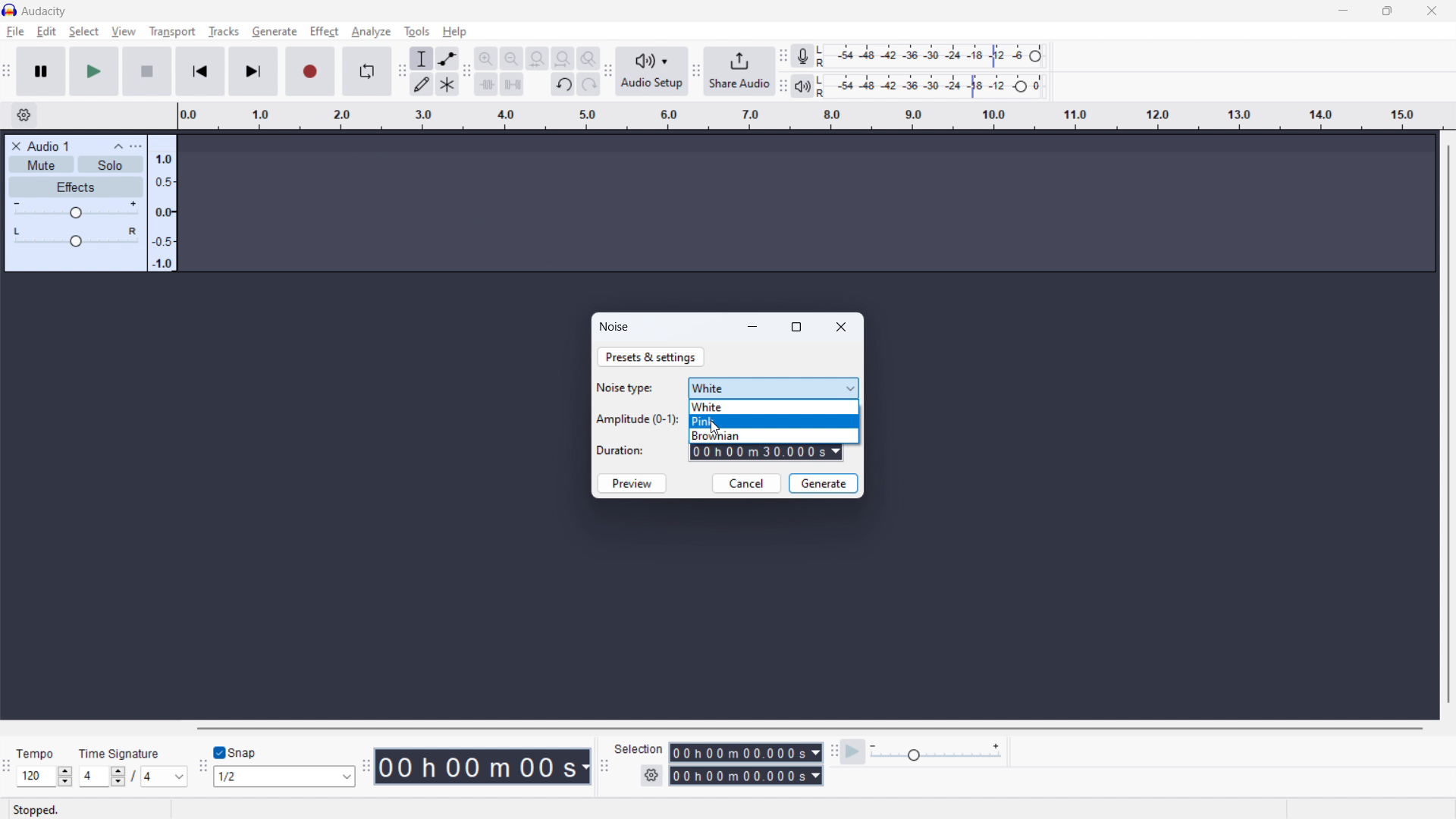  What do you see at coordinates (1386, 11) in the screenshot?
I see `maximize` at bounding box center [1386, 11].